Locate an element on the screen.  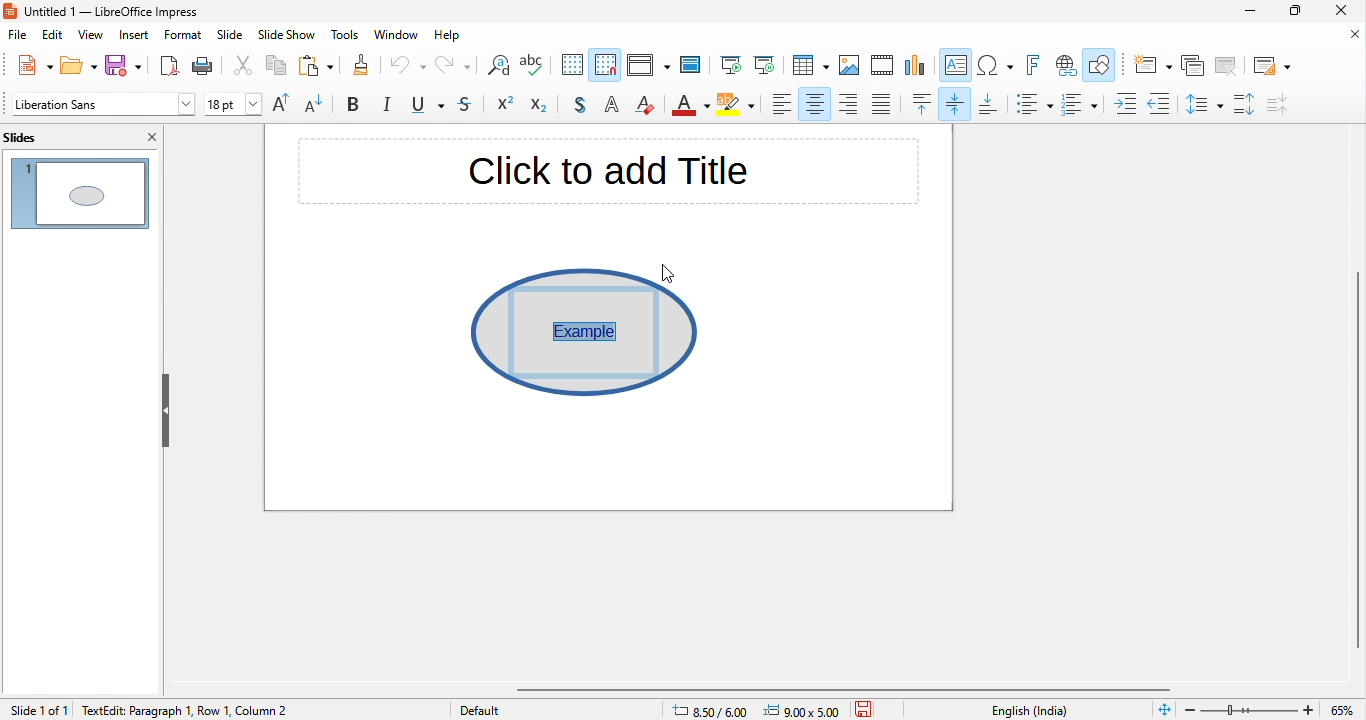
align left is located at coordinates (782, 104).